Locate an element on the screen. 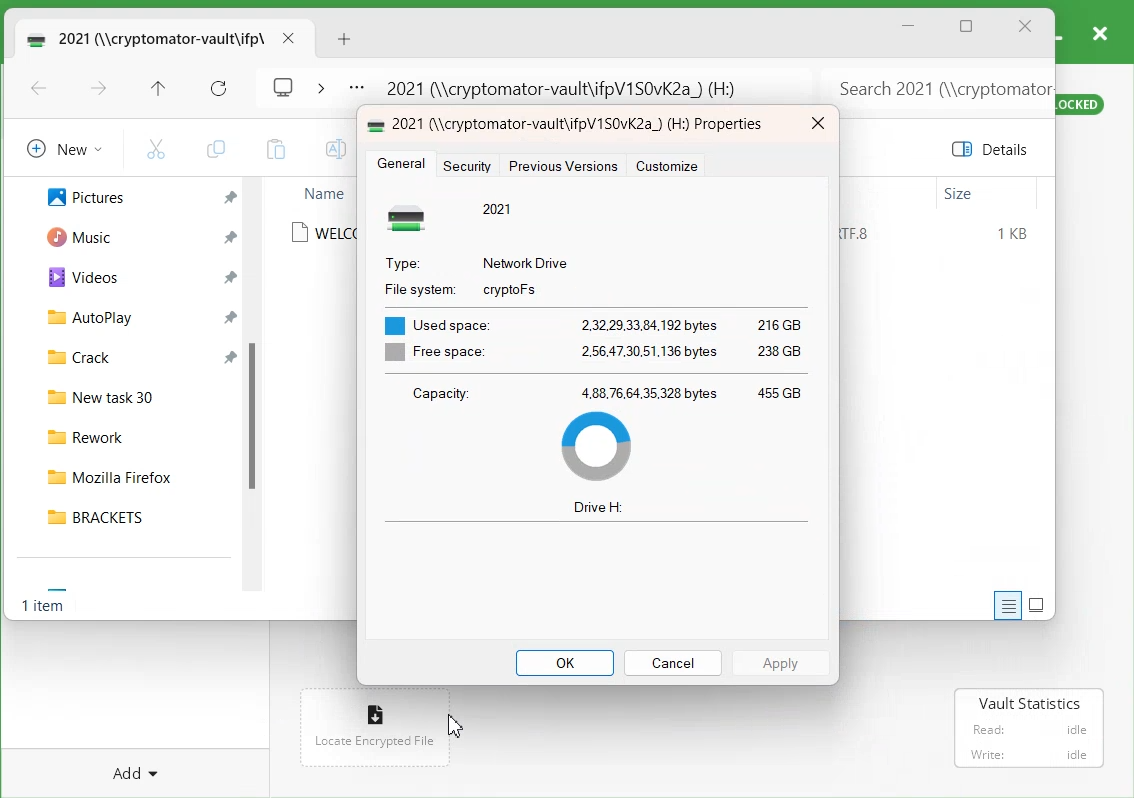 The height and width of the screenshot is (798, 1134). Close is located at coordinates (817, 124).